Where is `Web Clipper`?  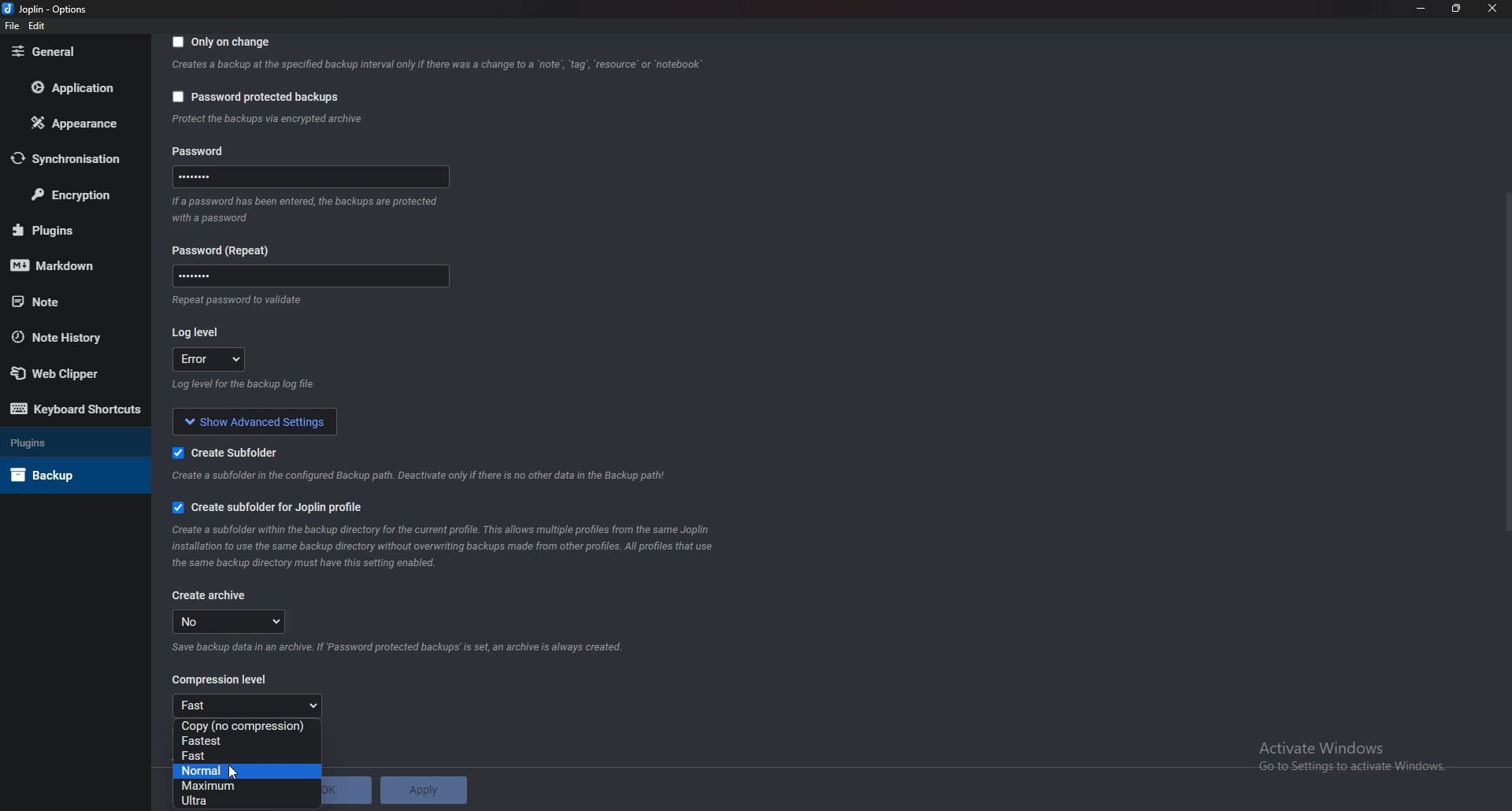 Web Clipper is located at coordinates (64, 370).